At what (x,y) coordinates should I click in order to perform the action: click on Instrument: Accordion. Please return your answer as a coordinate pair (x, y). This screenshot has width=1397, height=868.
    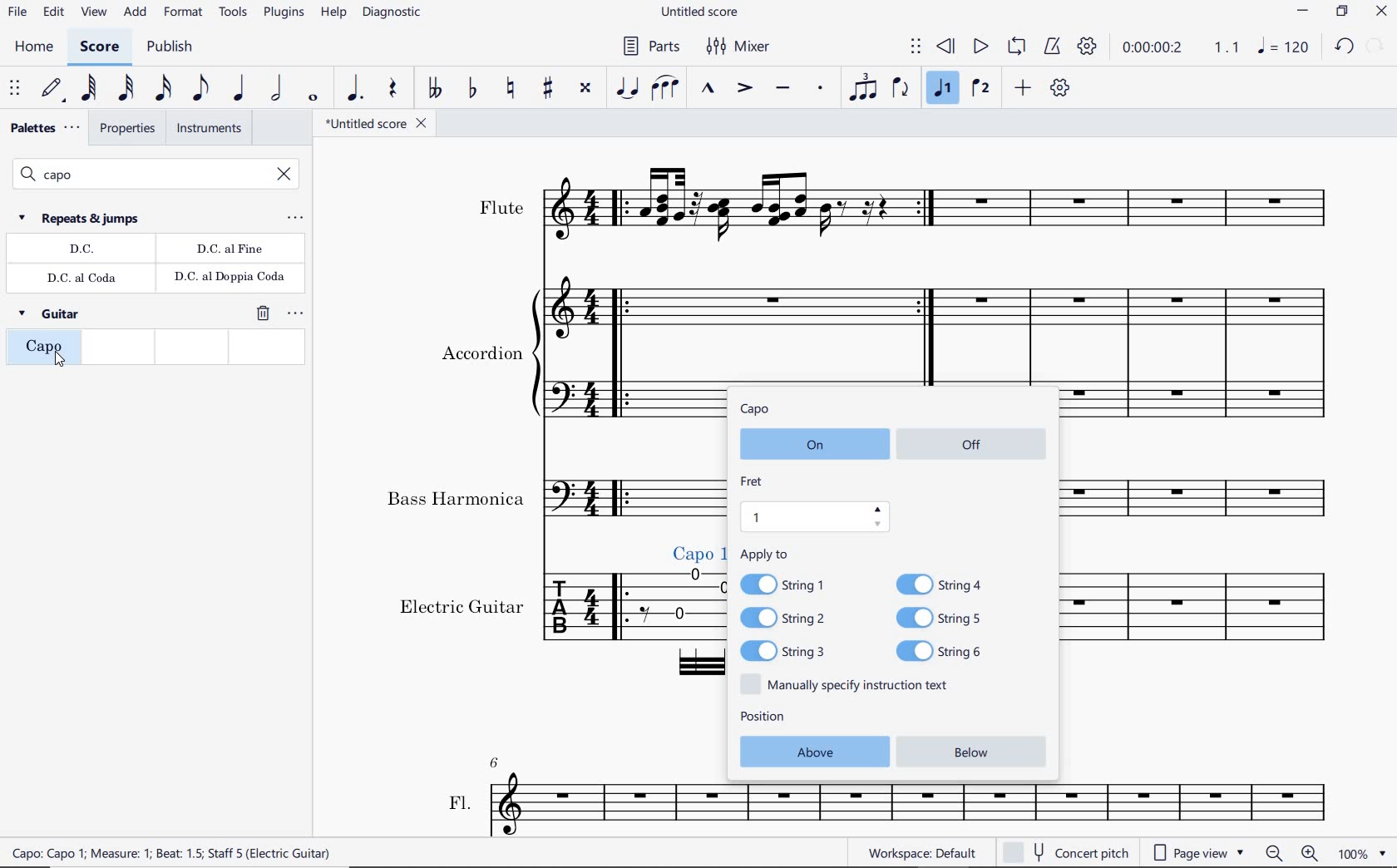
    Looking at the image, I should click on (892, 326).